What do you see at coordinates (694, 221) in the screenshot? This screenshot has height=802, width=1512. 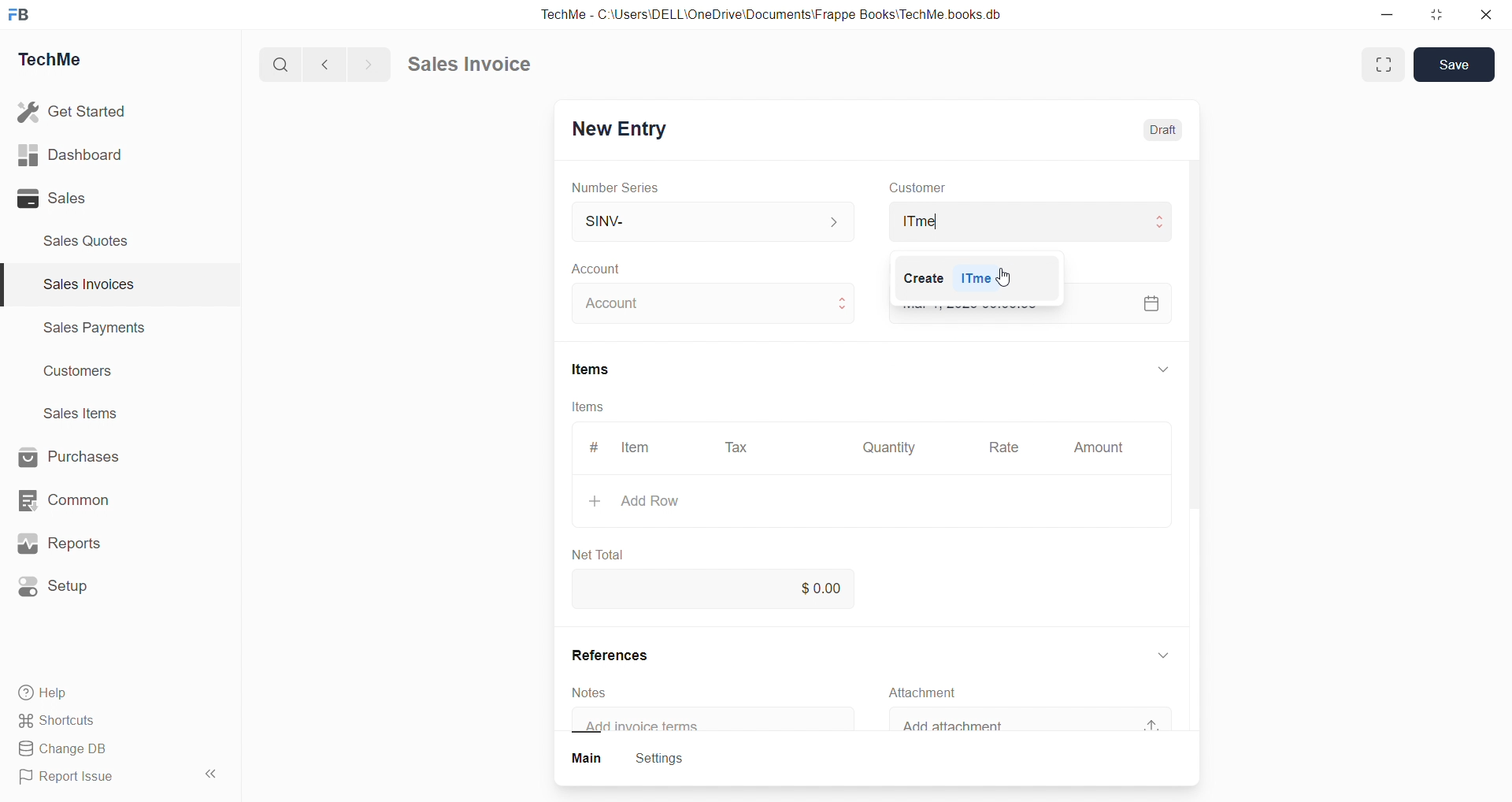 I see `SINV-` at bounding box center [694, 221].